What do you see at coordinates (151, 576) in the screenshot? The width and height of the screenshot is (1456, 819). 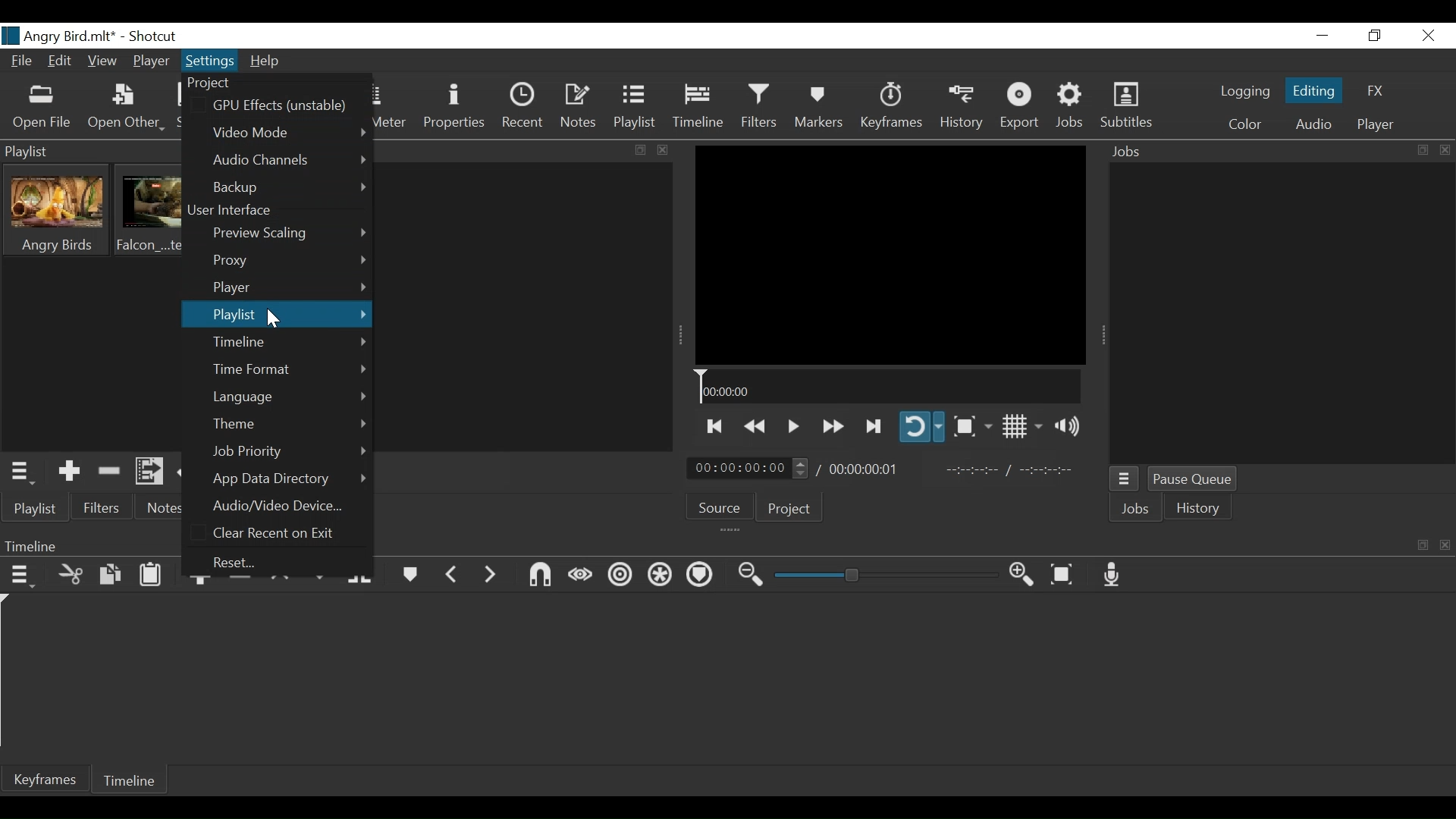 I see `Paste` at bounding box center [151, 576].